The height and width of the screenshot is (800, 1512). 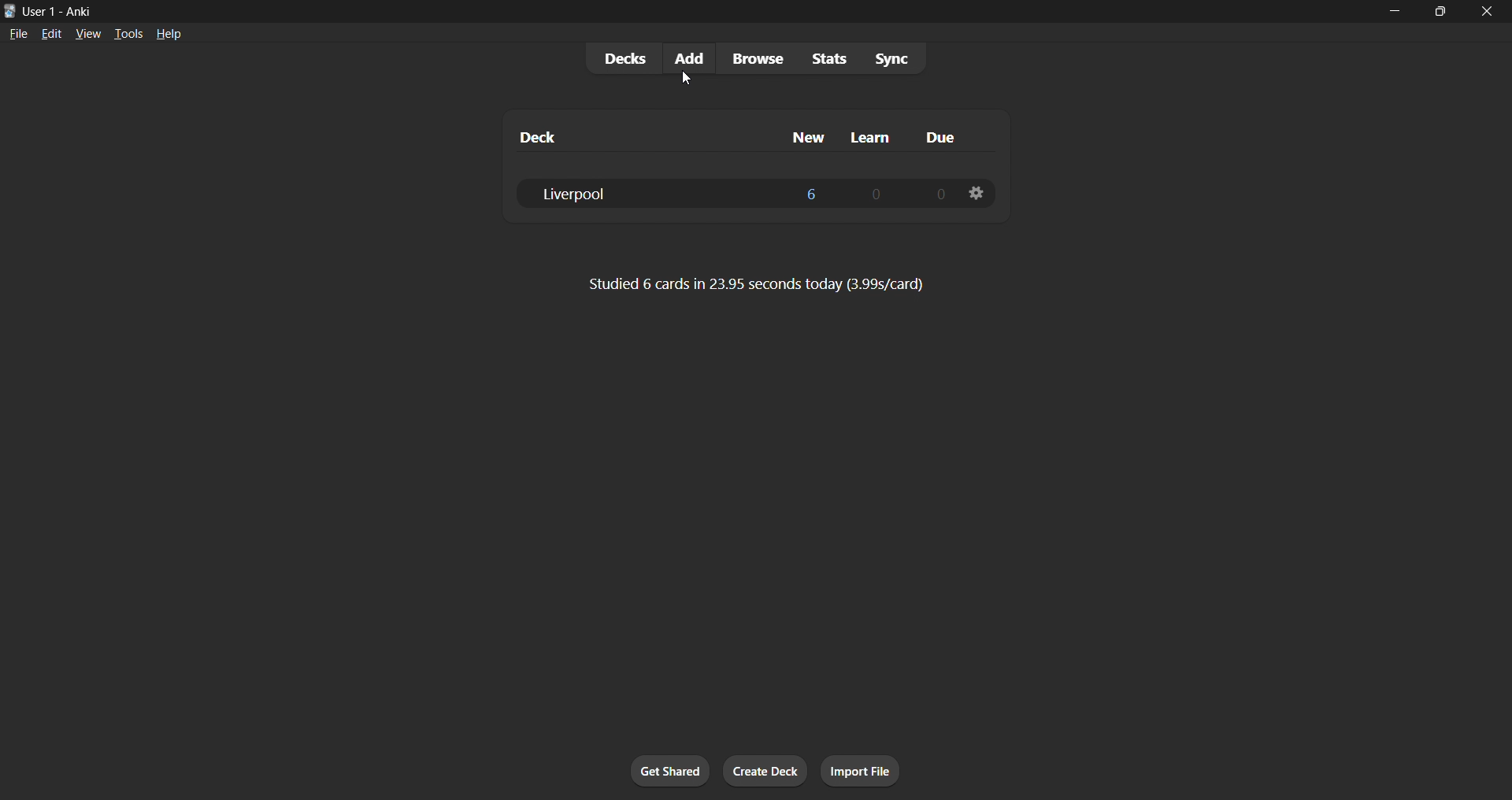 What do you see at coordinates (811, 193) in the screenshot?
I see `New cards` at bounding box center [811, 193].